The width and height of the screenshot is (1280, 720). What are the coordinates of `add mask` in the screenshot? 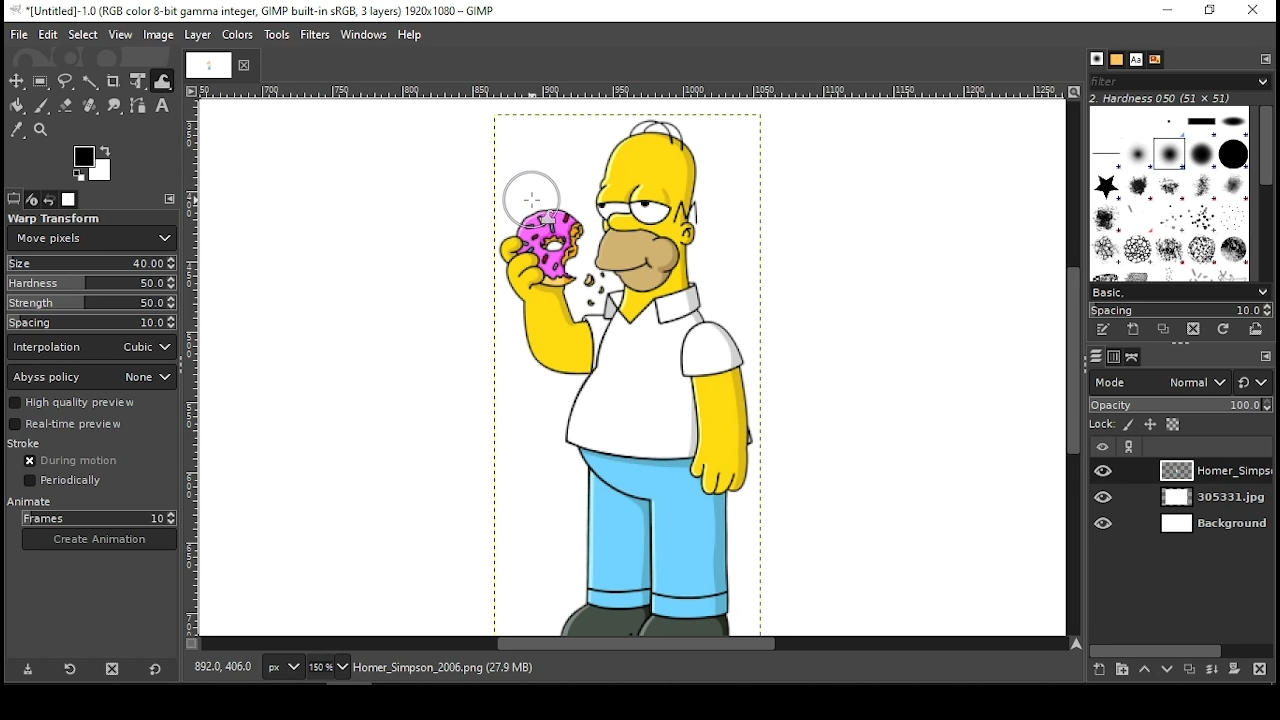 It's located at (1236, 669).